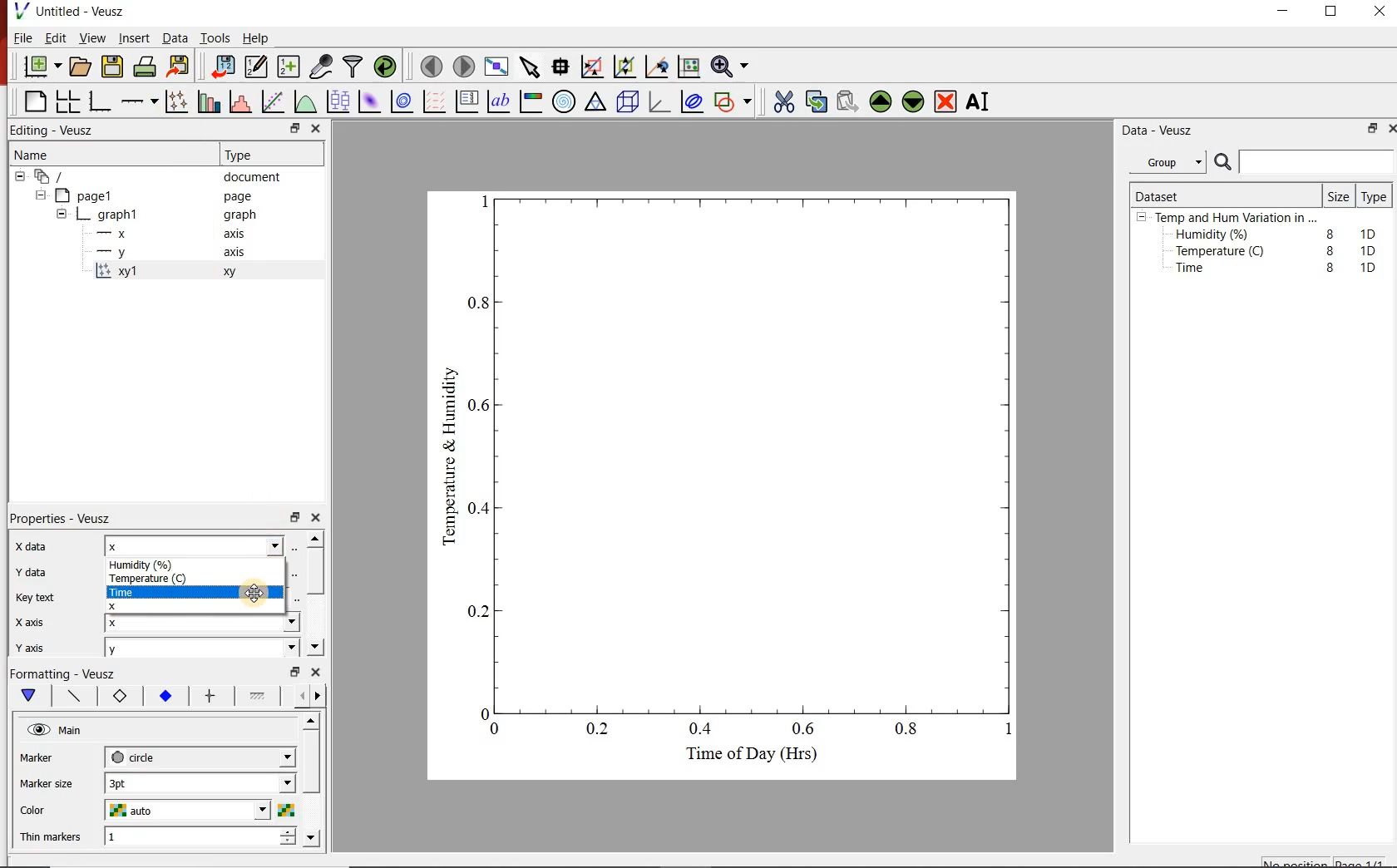  Describe the element at coordinates (292, 599) in the screenshot. I see `edit text` at that location.